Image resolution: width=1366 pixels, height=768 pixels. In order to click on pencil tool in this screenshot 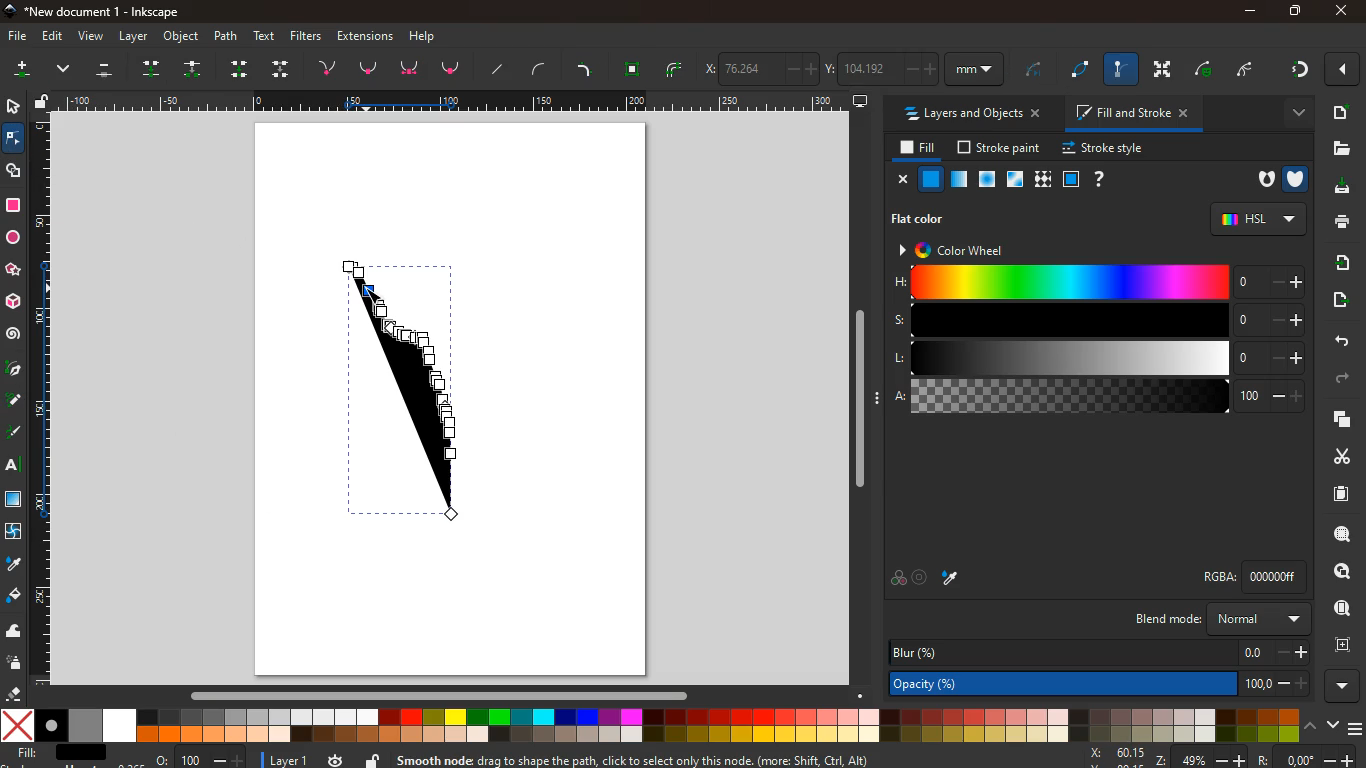, I will do `click(16, 434)`.